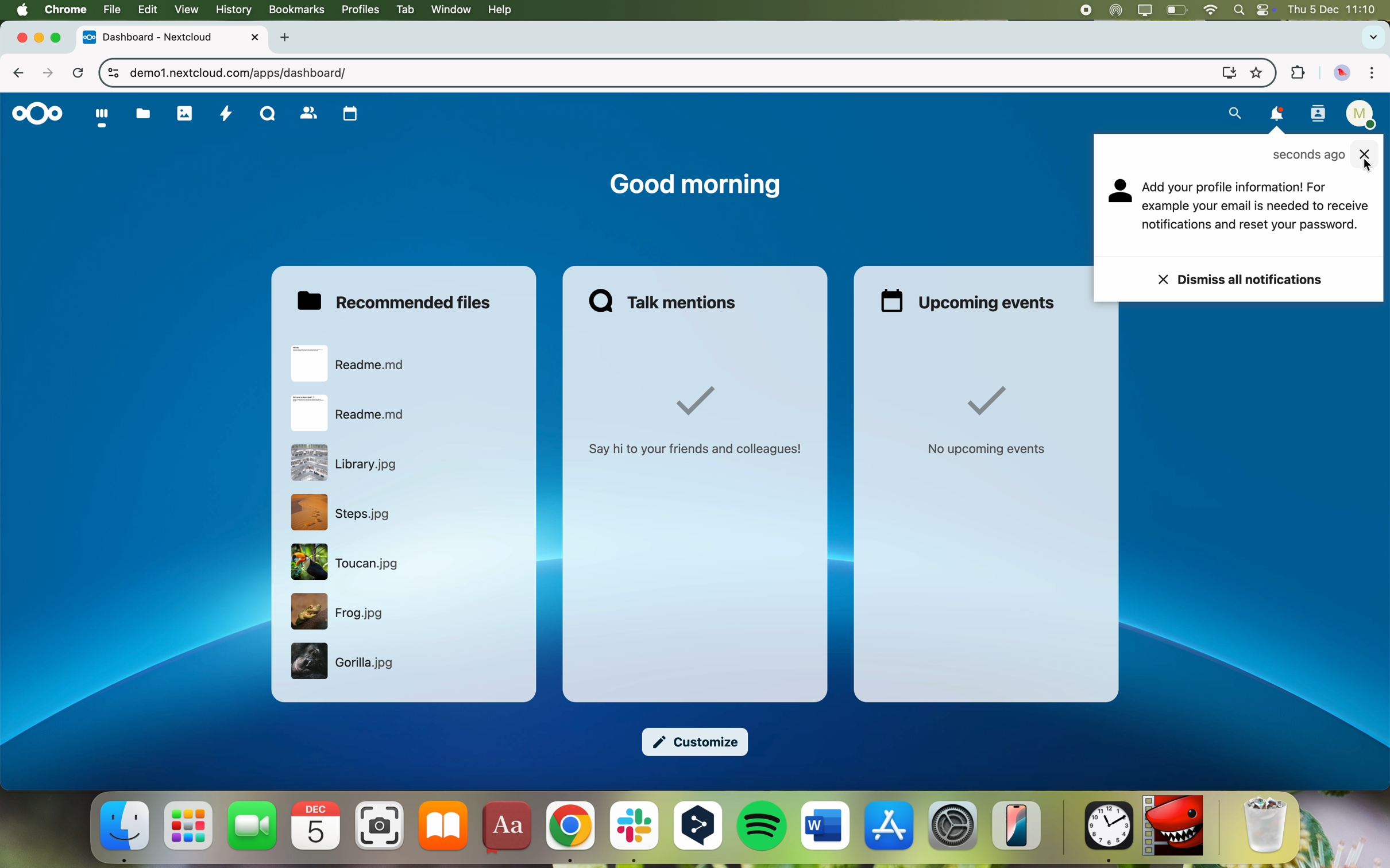 This screenshot has width=1390, height=868. Describe the element at coordinates (1256, 208) in the screenshot. I see `note` at that location.